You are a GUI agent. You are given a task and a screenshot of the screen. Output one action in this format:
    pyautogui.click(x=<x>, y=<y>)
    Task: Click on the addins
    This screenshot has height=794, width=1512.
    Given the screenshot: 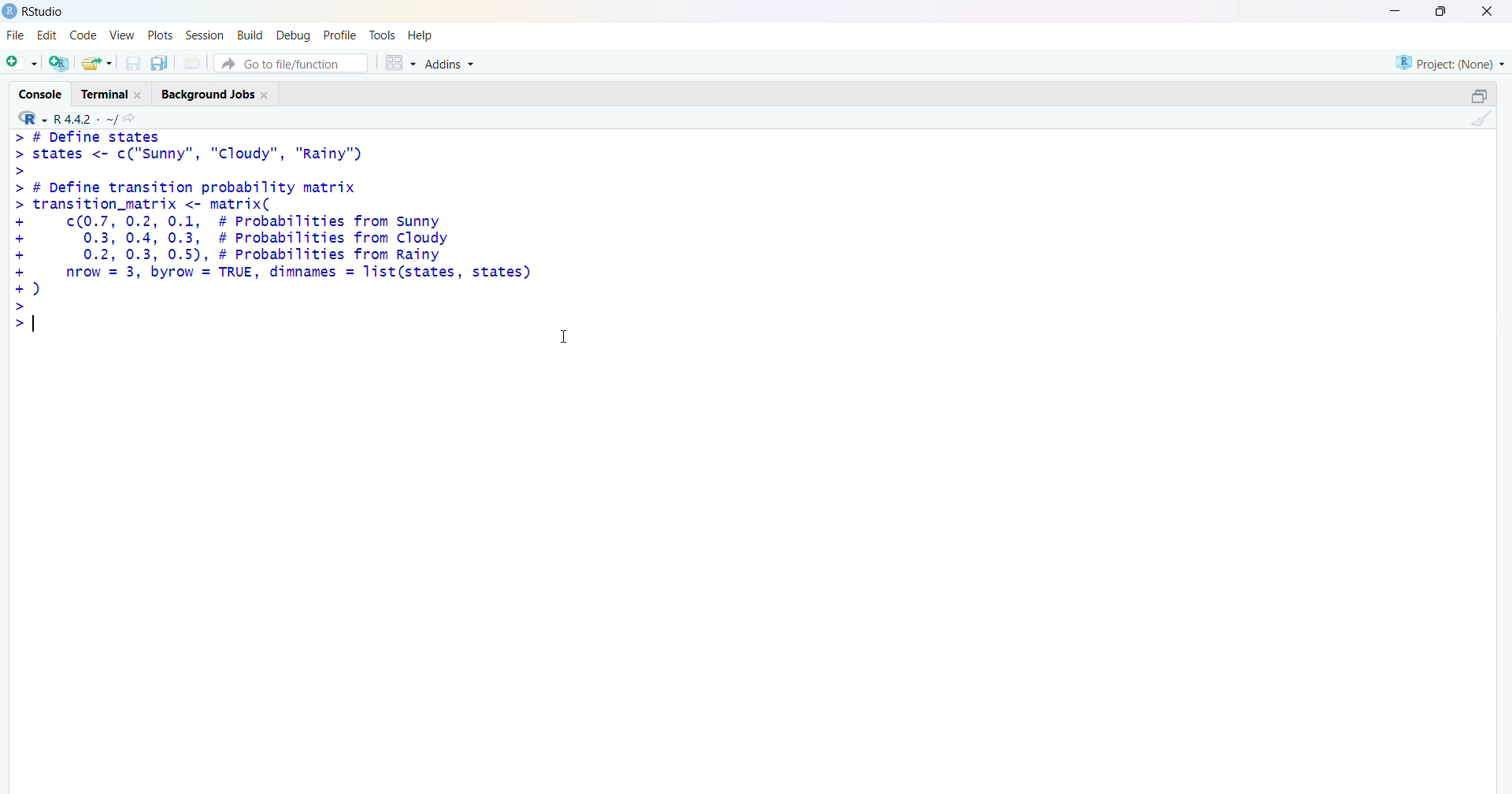 What is the action you would take?
    pyautogui.click(x=453, y=64)
    